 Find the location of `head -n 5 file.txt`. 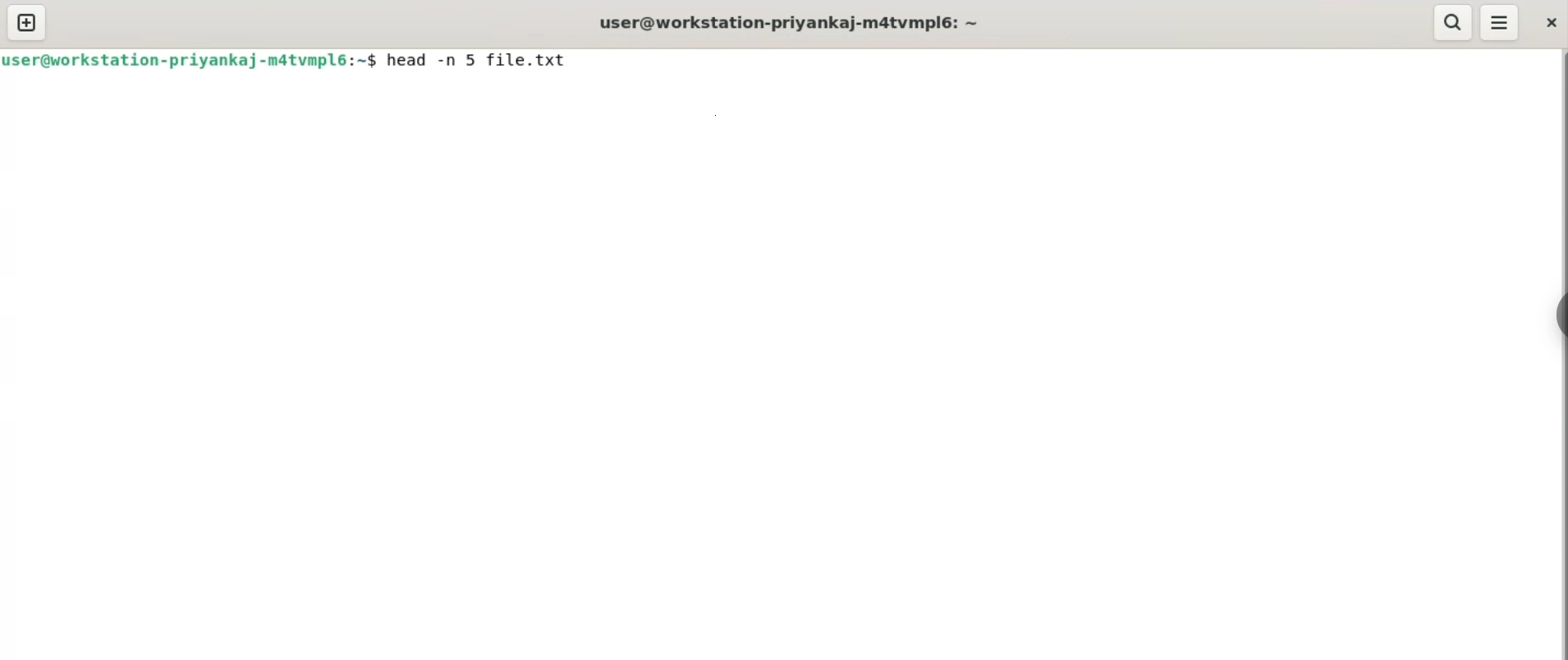

head -n 5 file.txt is located at coordinates (480, 62).